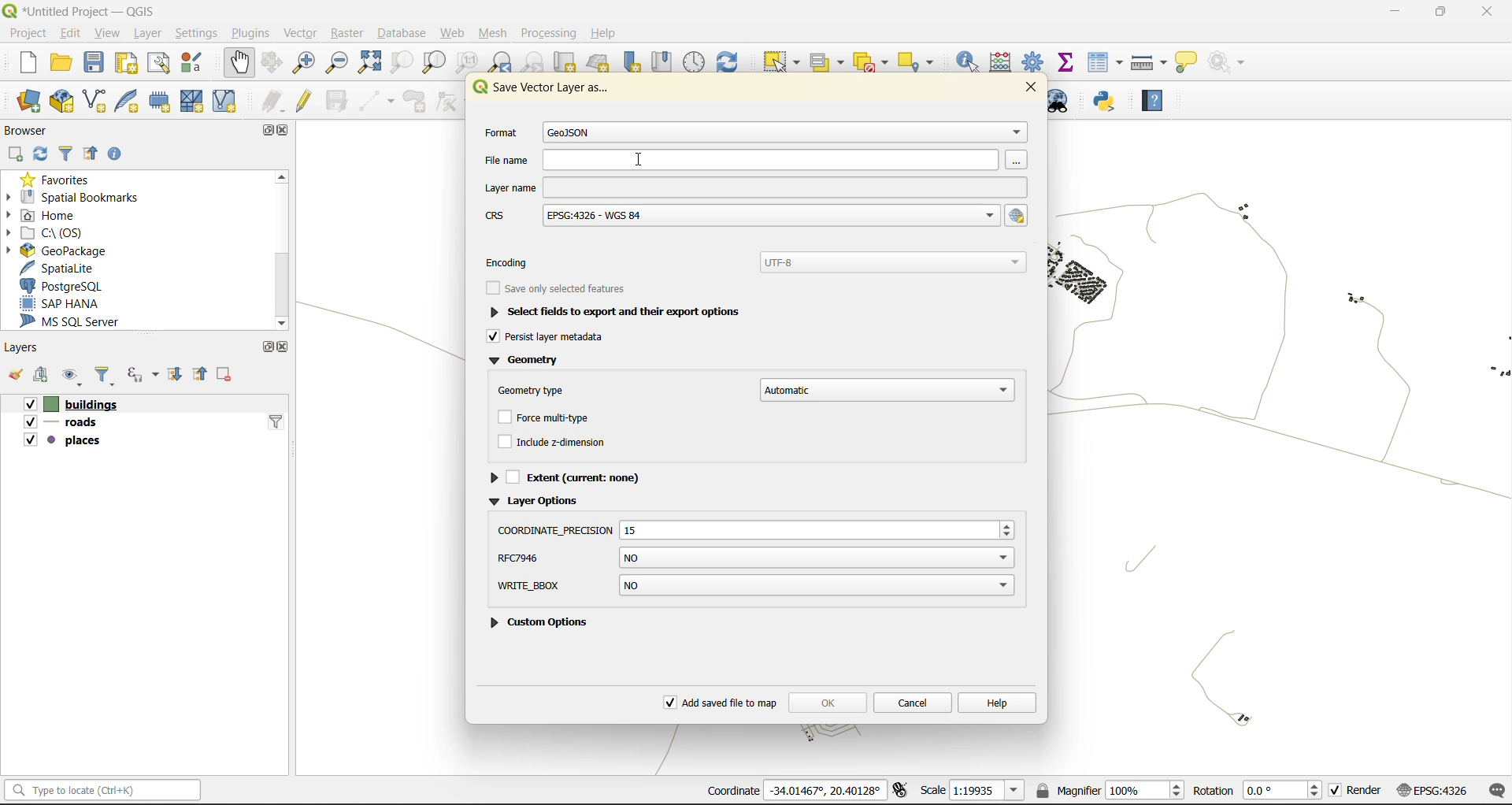 Image resolution: width=1512 pixels, height=805 pixels. I want to click on no action, so click(1232, 62).